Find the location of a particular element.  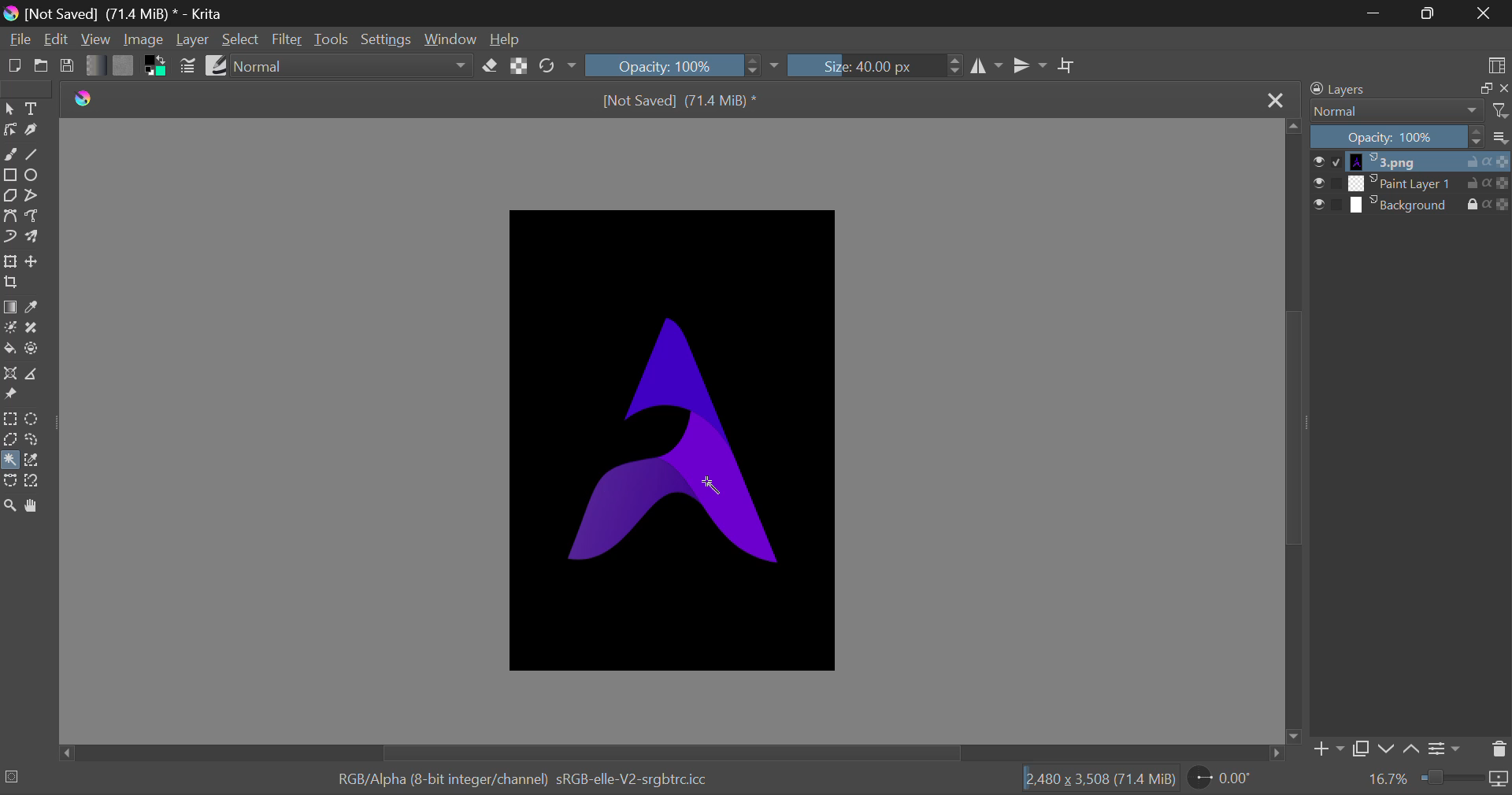

Layers Docker Tab is located at coordinates (1345, 90).